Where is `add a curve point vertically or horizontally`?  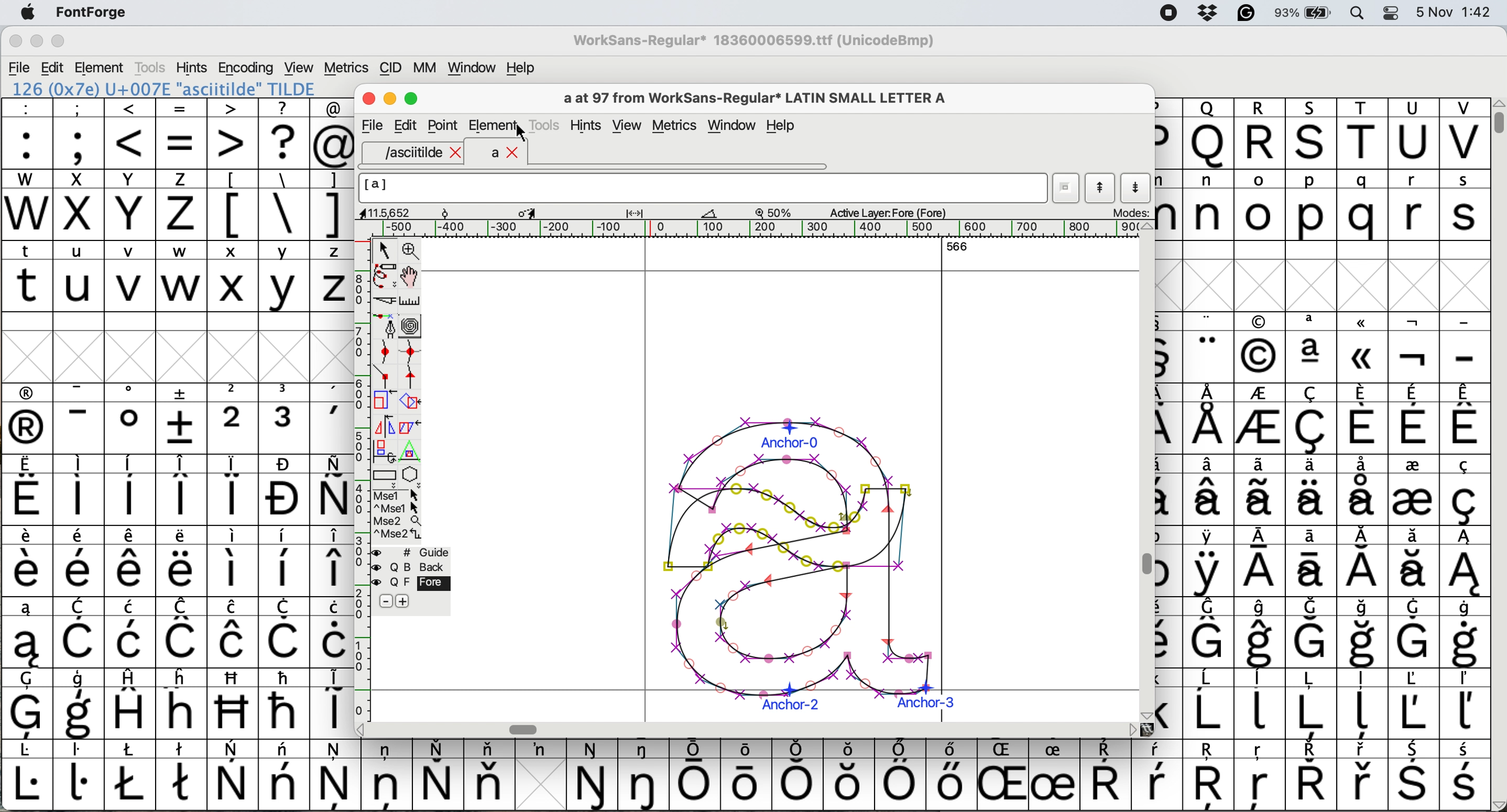 add a curve point vertically or horizontally is located at coordinates (414, 352).